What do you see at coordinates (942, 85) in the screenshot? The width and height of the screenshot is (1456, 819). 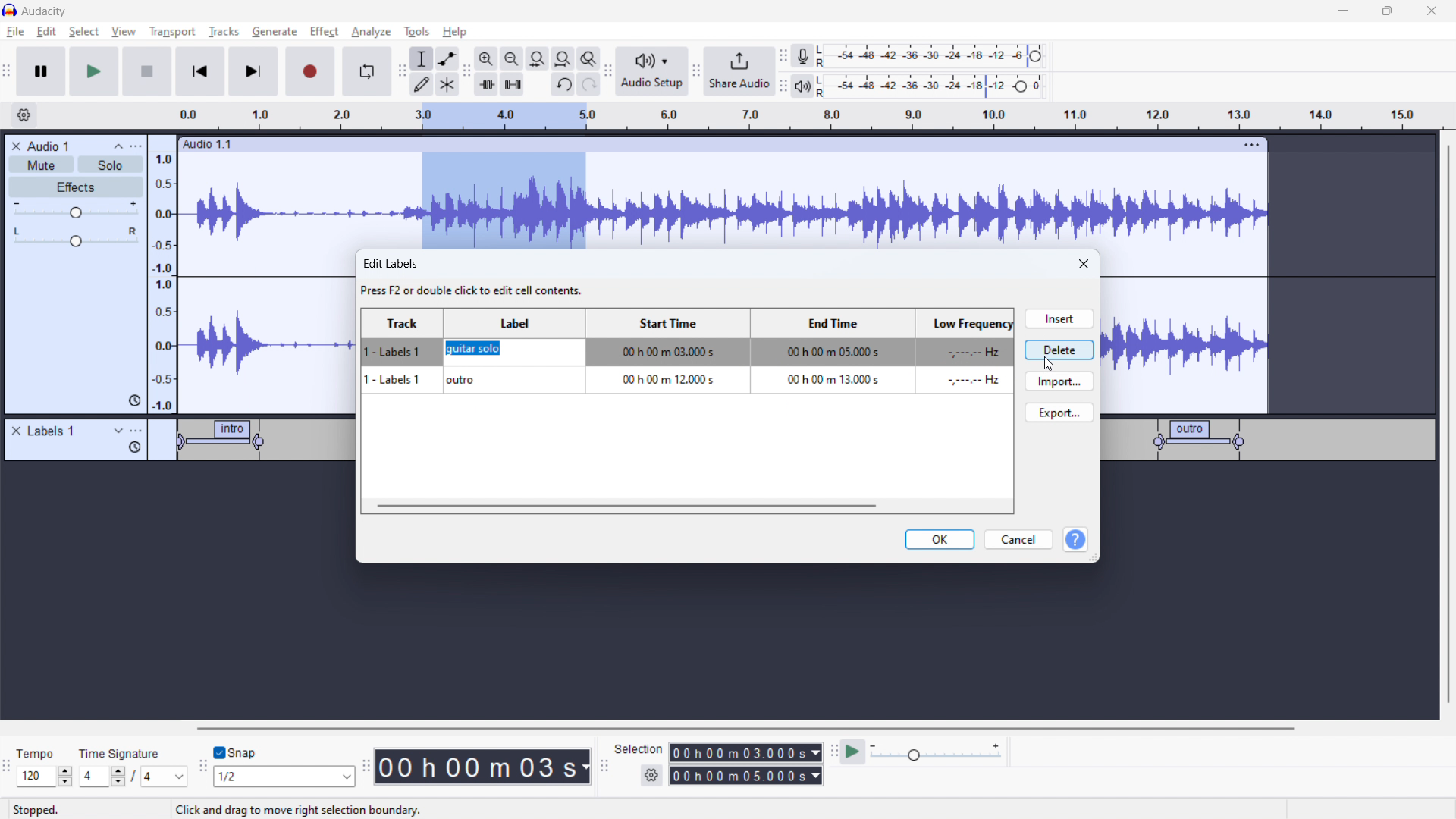 I see `playback level` at bounding box center [942, 85].